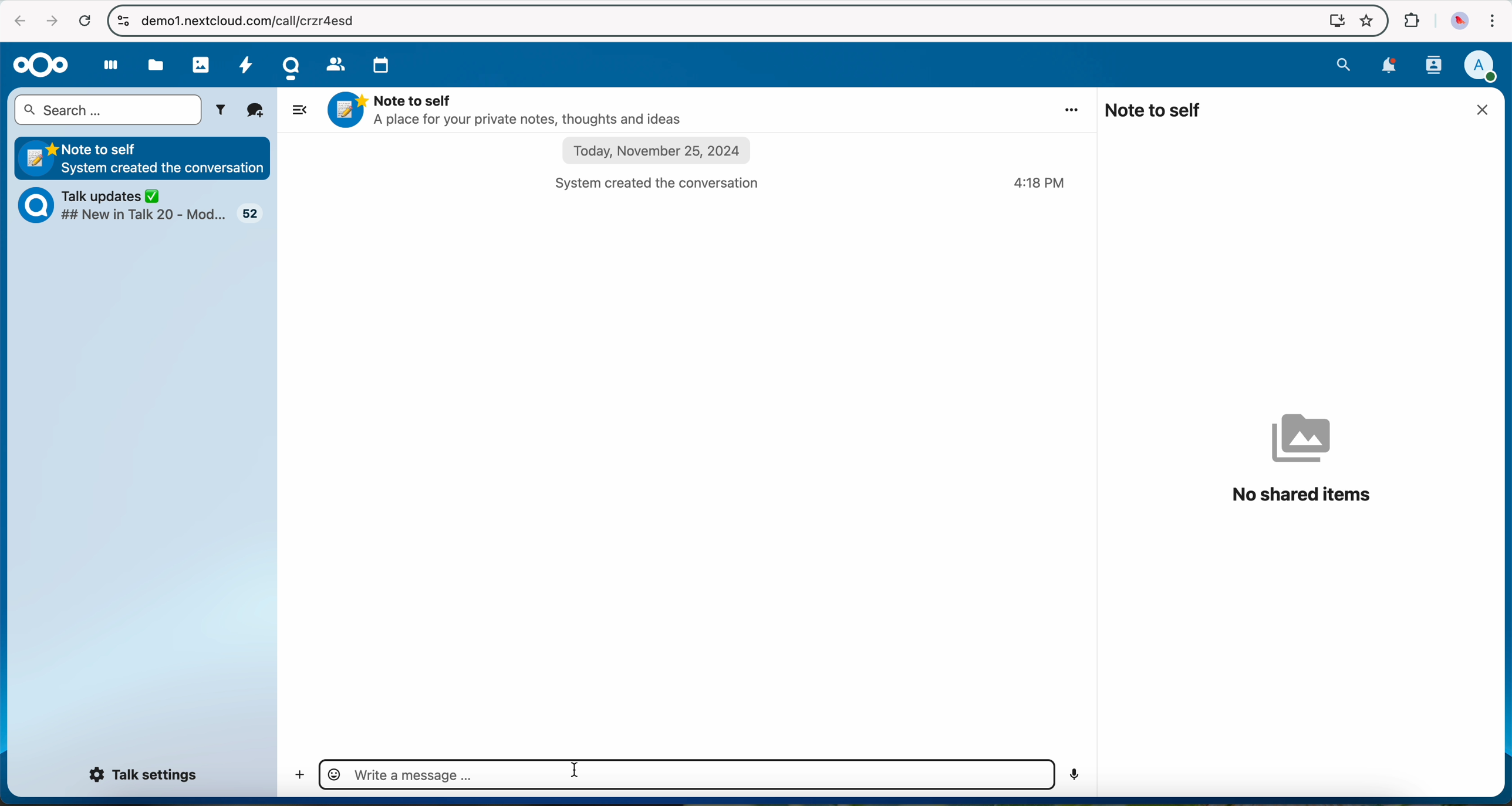  What do you see at coordinates (200, 63) in the screenshot?
I see `photos` at bounding box center [200, 63].